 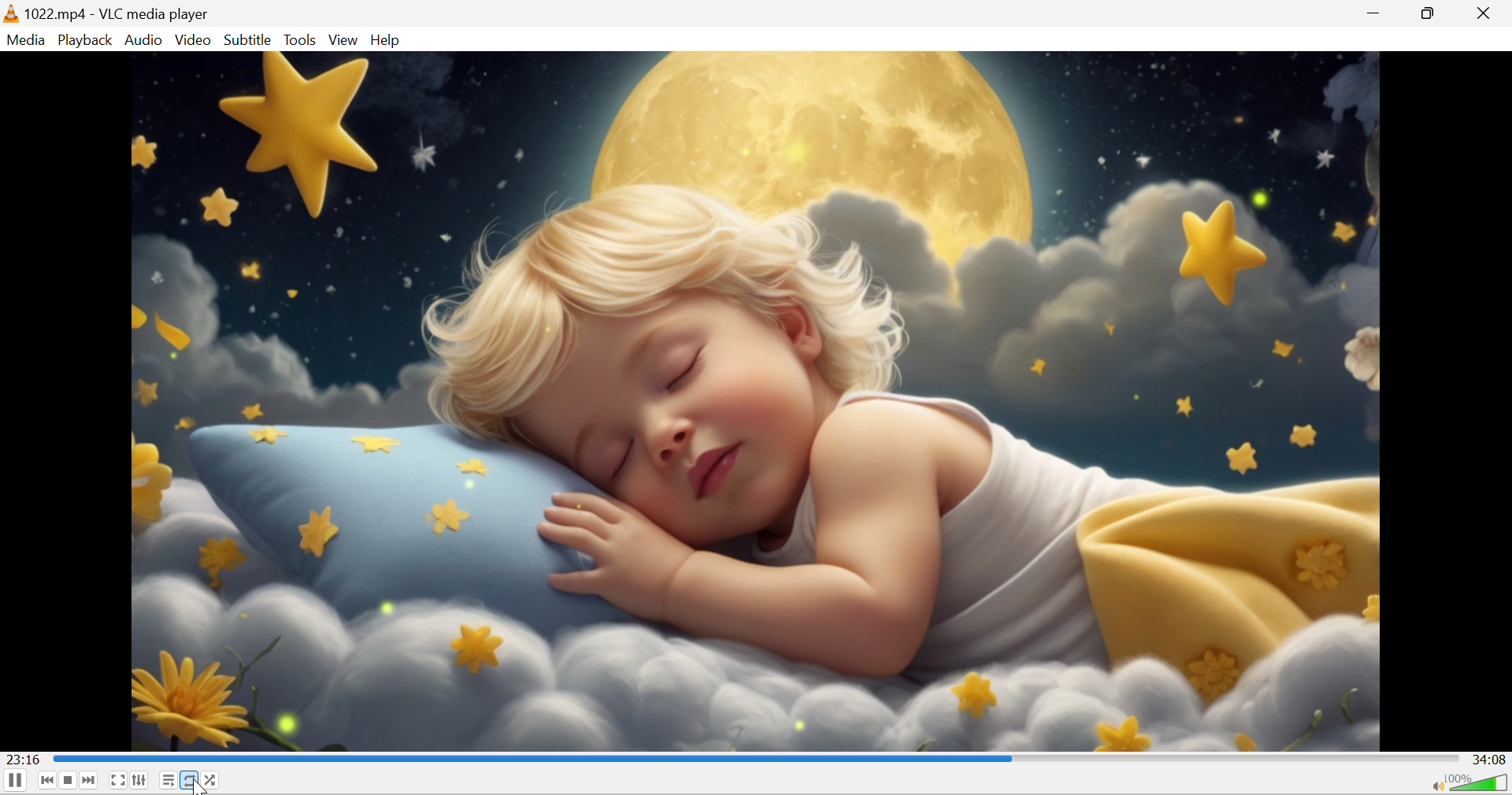 What do you see at coordinates (48, 780) in the screenshot?
I see `Previous media in the playlist, skip backward when held` at bounding box center [48, 780].